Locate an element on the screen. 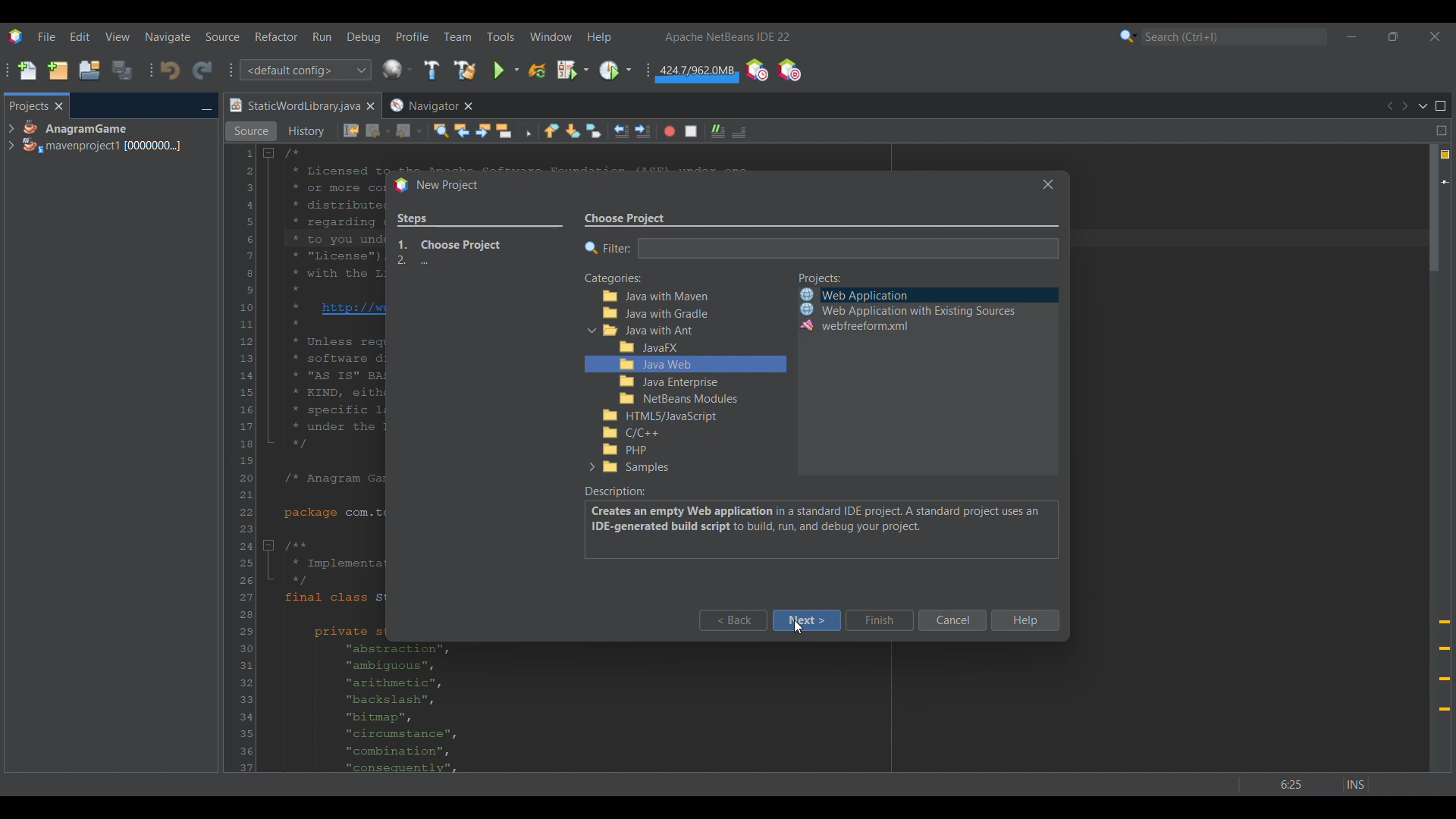  Open project is located at coordinates (89, 70).